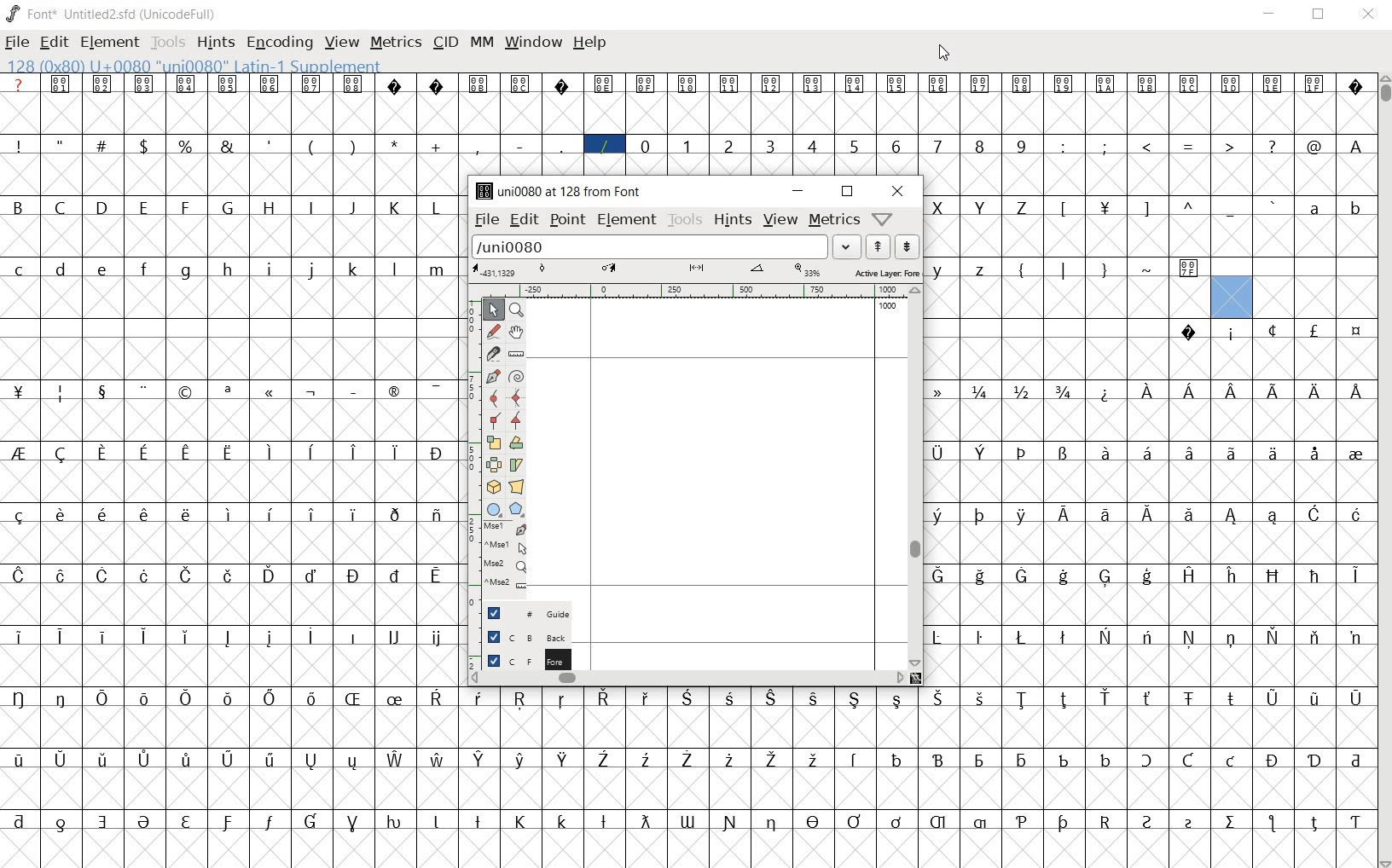  Describe the element at coordinates (520, 760) in the screenshot. I see `glyph` at that location.